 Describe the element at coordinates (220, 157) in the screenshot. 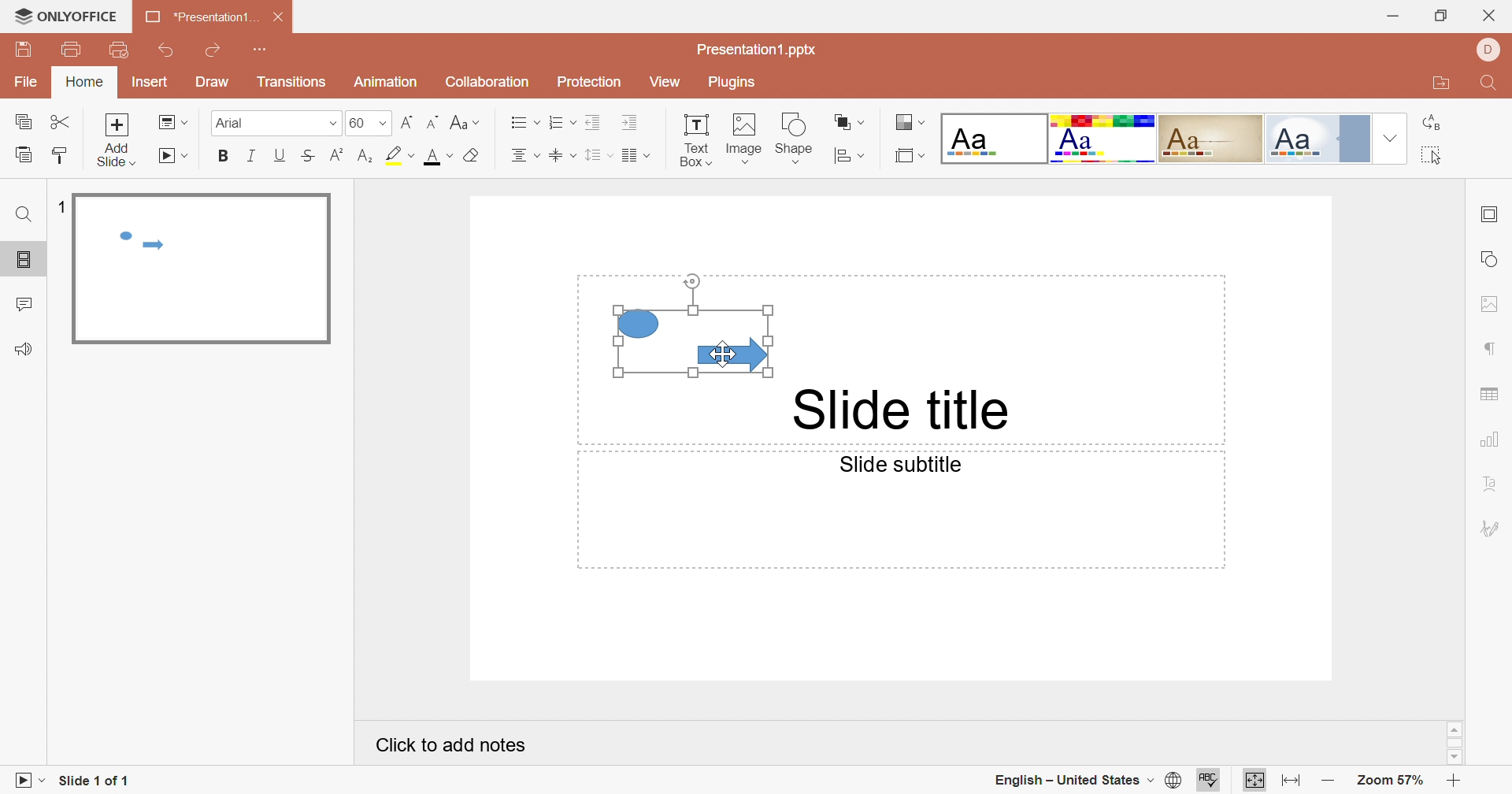

I see `Bold` at that location.